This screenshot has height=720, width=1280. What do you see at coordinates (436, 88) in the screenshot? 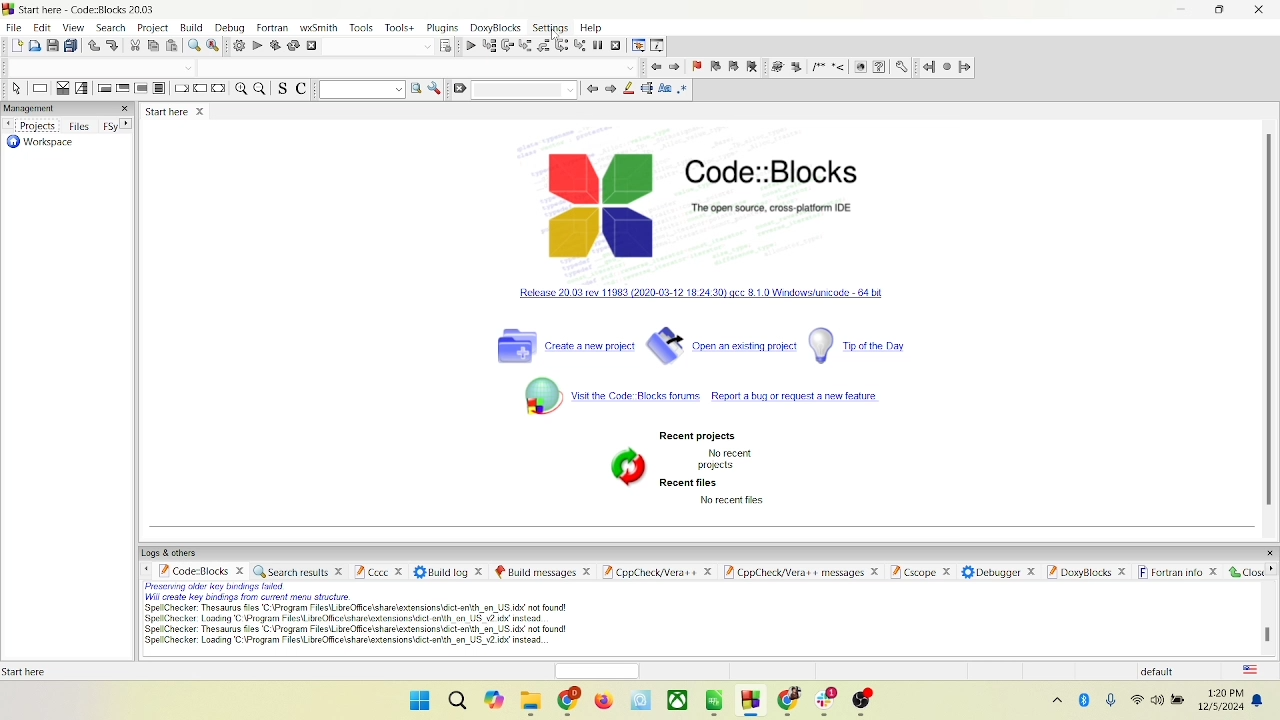
I see `option window` at bounding box center [436, 88].